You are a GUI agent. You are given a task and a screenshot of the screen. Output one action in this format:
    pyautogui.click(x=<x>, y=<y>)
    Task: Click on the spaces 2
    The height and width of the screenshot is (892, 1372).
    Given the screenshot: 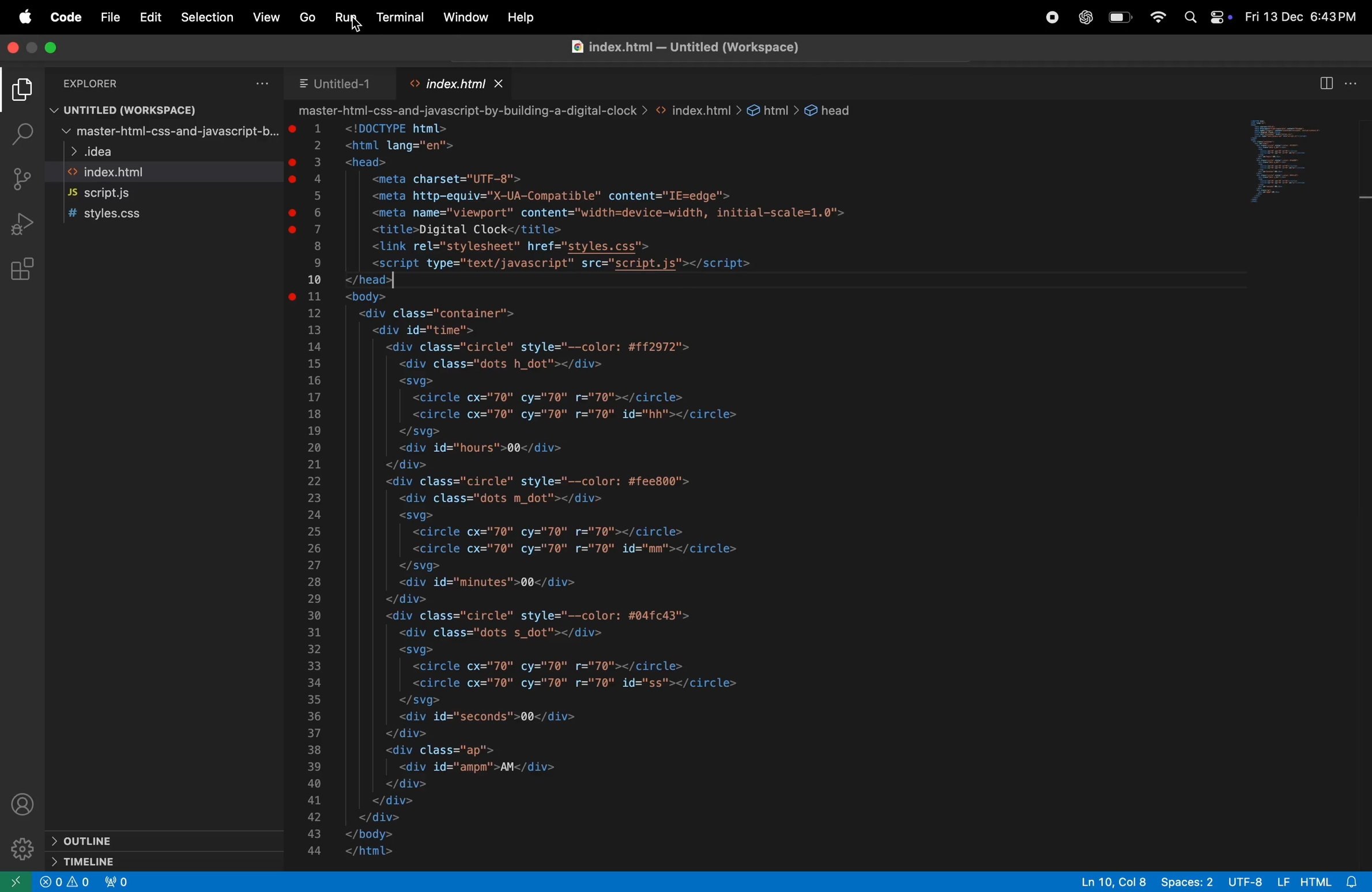 What is the action you would take?
    pyautogui.click(x=1190, y=882)
    